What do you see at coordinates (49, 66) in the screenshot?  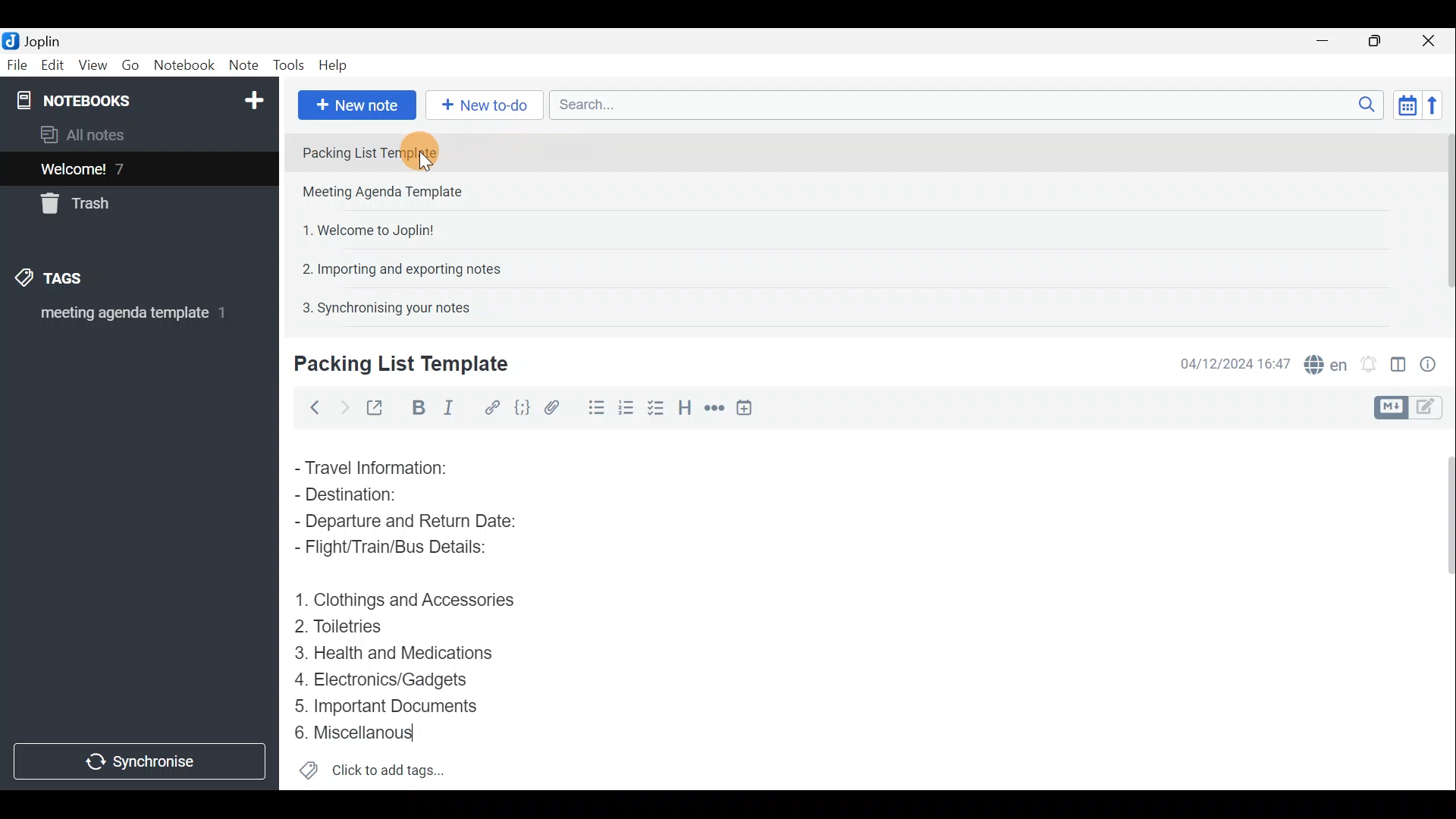 I see `Edit` at bounding box center [49, 66].